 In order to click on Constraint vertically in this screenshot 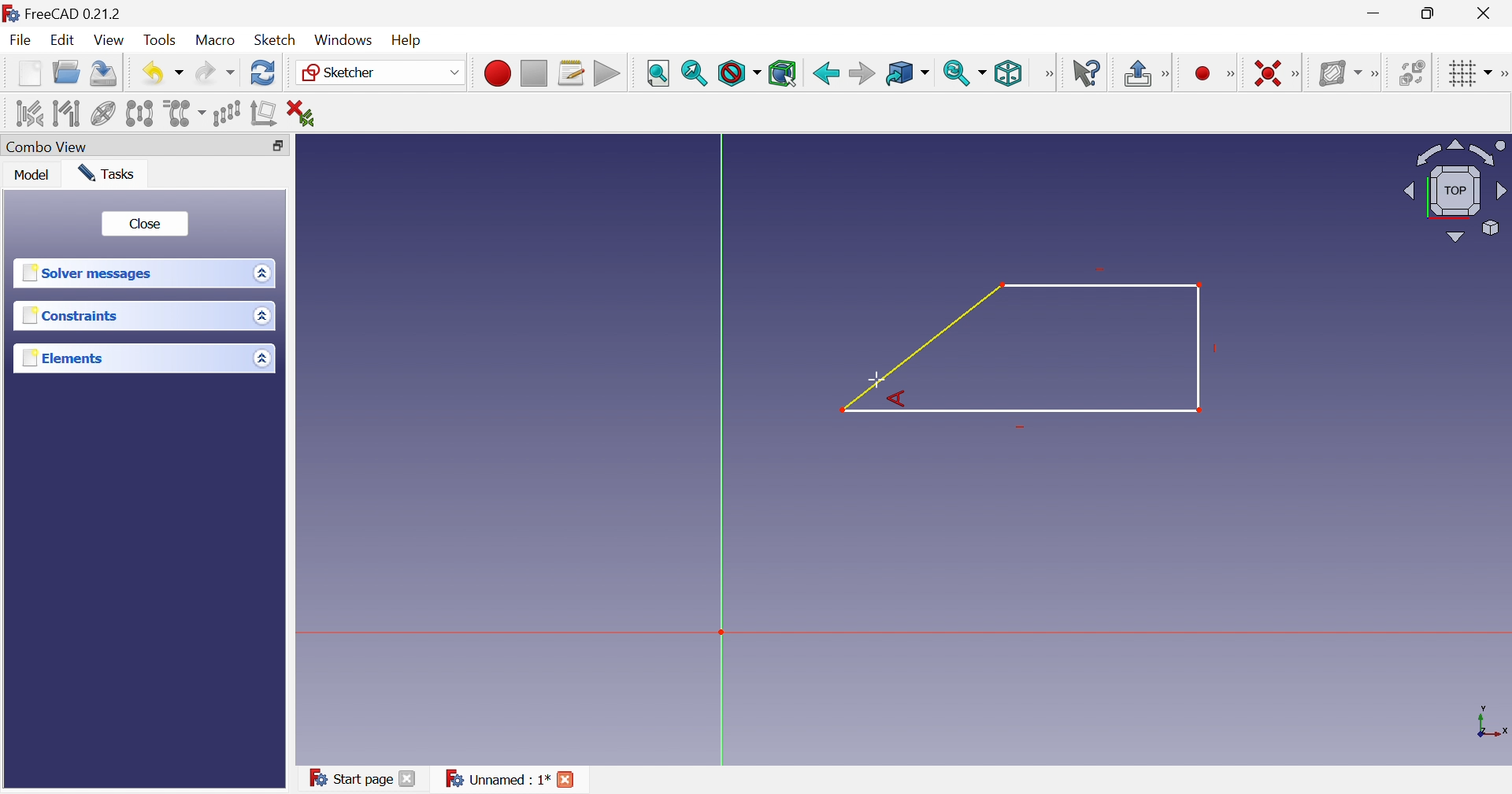, I will do `click(1212, 72)`.